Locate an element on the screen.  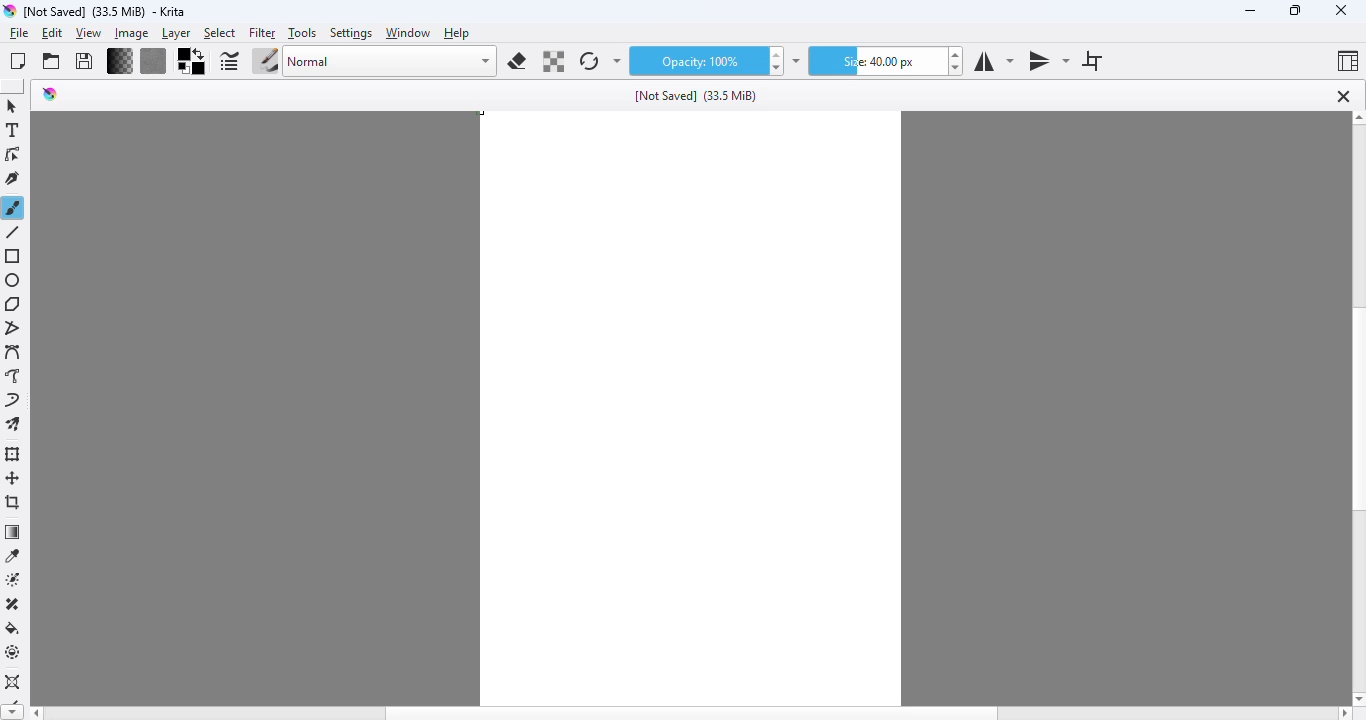
select is located at coordinates (220, 32).